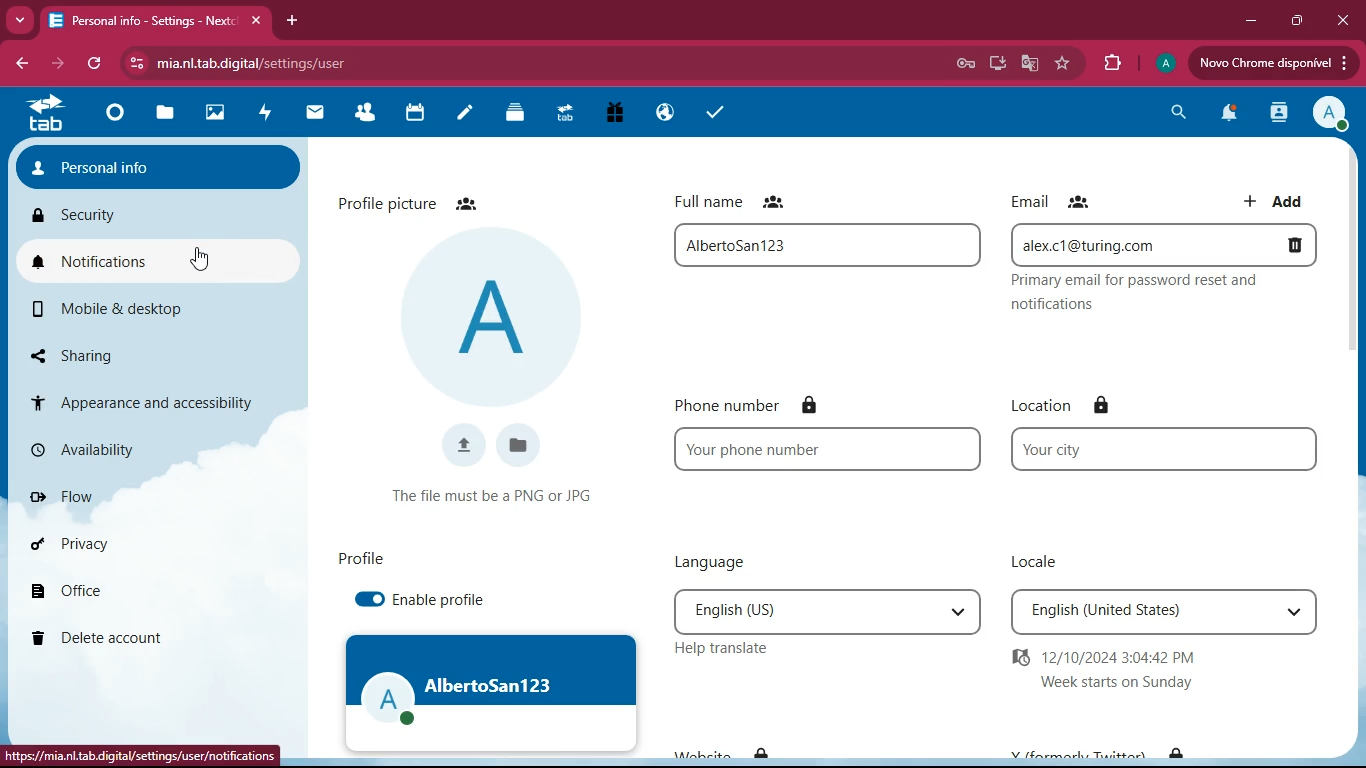 The width and height of the screenshot is (1366, 768). What do you see at coordinates (1065, 65) in the screenshot?
I see `favorites` at bounding box center [1065, 65].